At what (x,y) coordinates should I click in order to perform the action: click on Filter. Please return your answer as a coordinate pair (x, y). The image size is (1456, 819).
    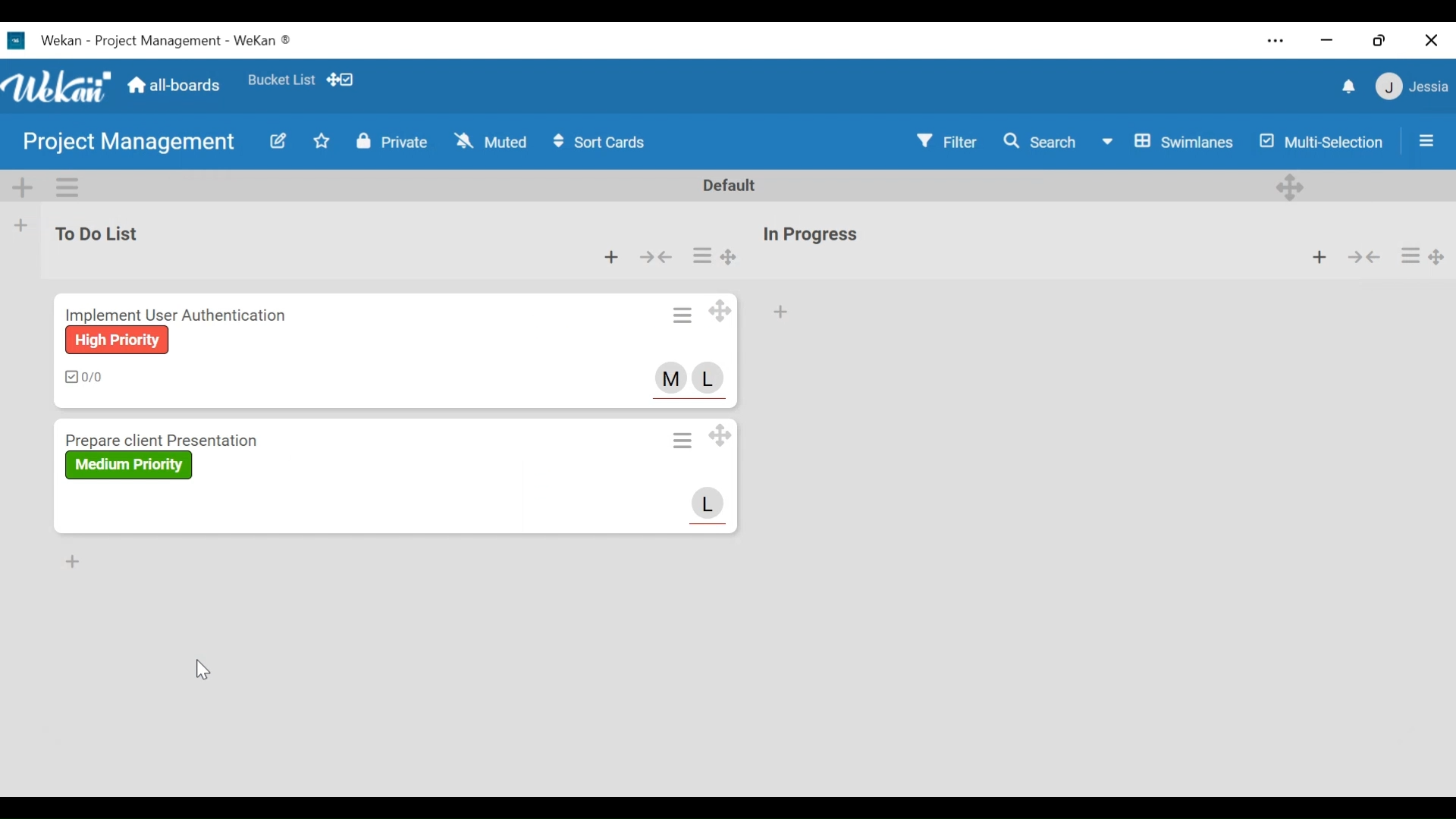
    Looking at the image, I should click on (945, 142).